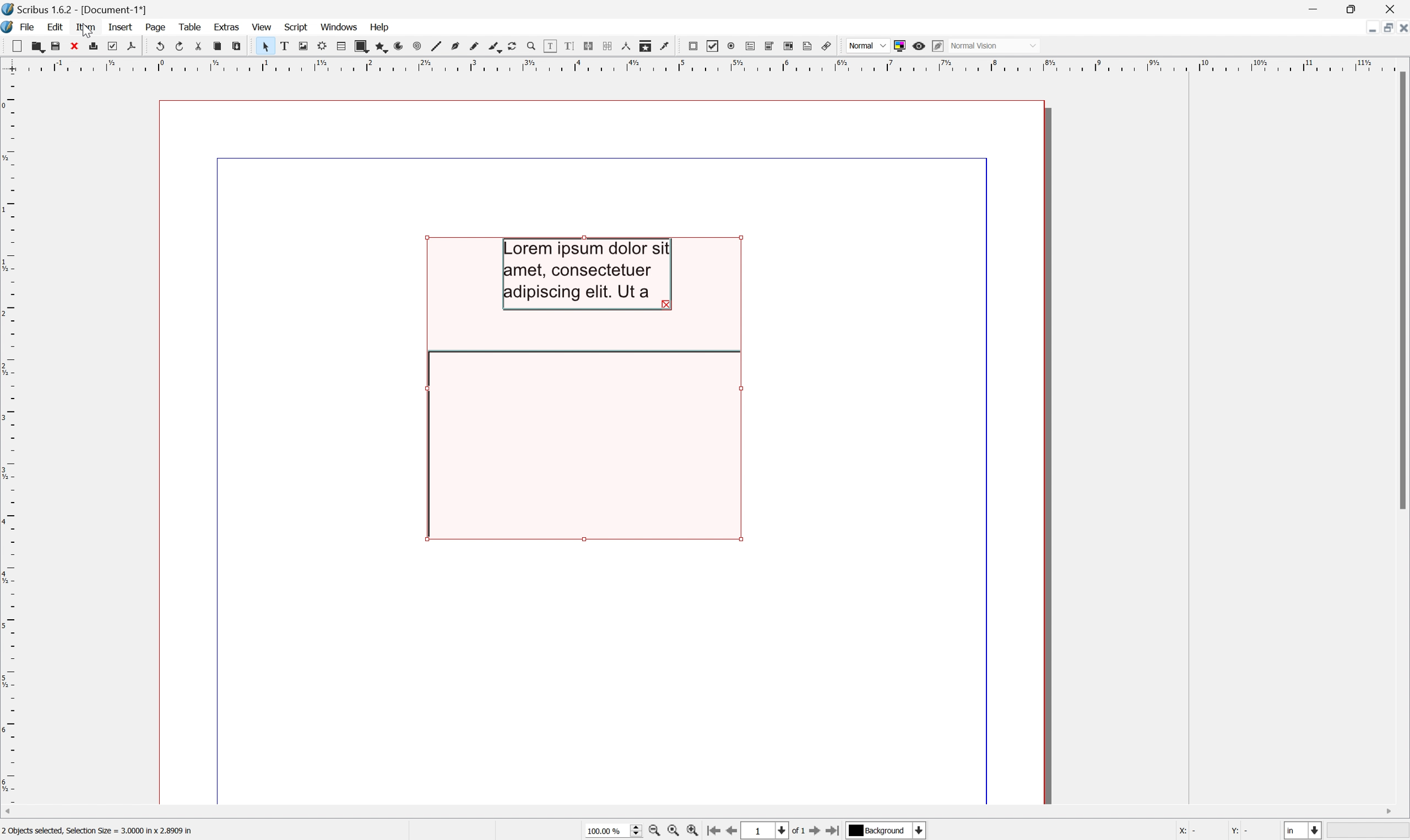  What do you see at coordinates (131, 48) in the screenshot?
I see `Save as PDF` at bounding box center [131, 48].